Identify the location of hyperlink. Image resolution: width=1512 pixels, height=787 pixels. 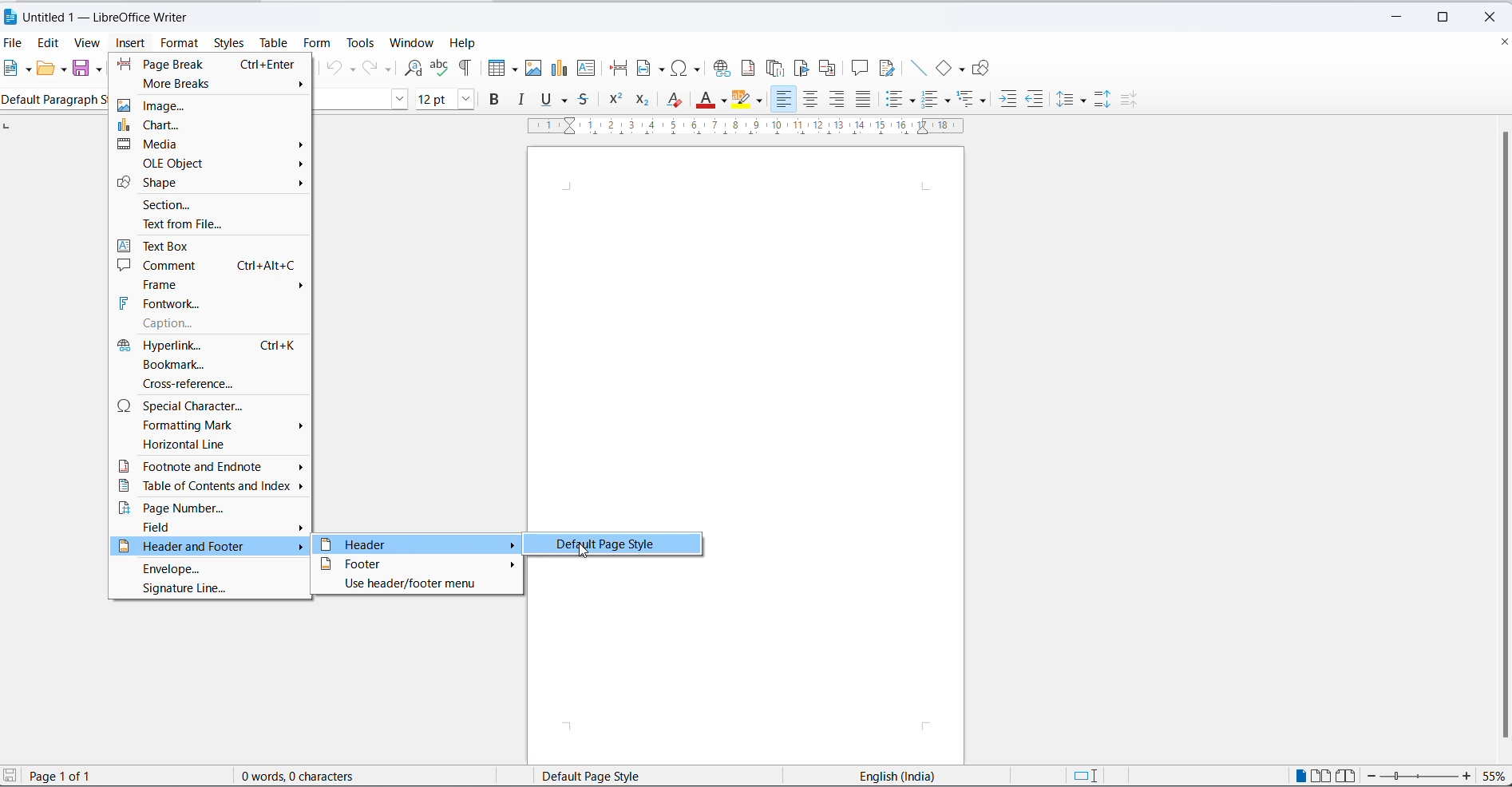
(212, 346).